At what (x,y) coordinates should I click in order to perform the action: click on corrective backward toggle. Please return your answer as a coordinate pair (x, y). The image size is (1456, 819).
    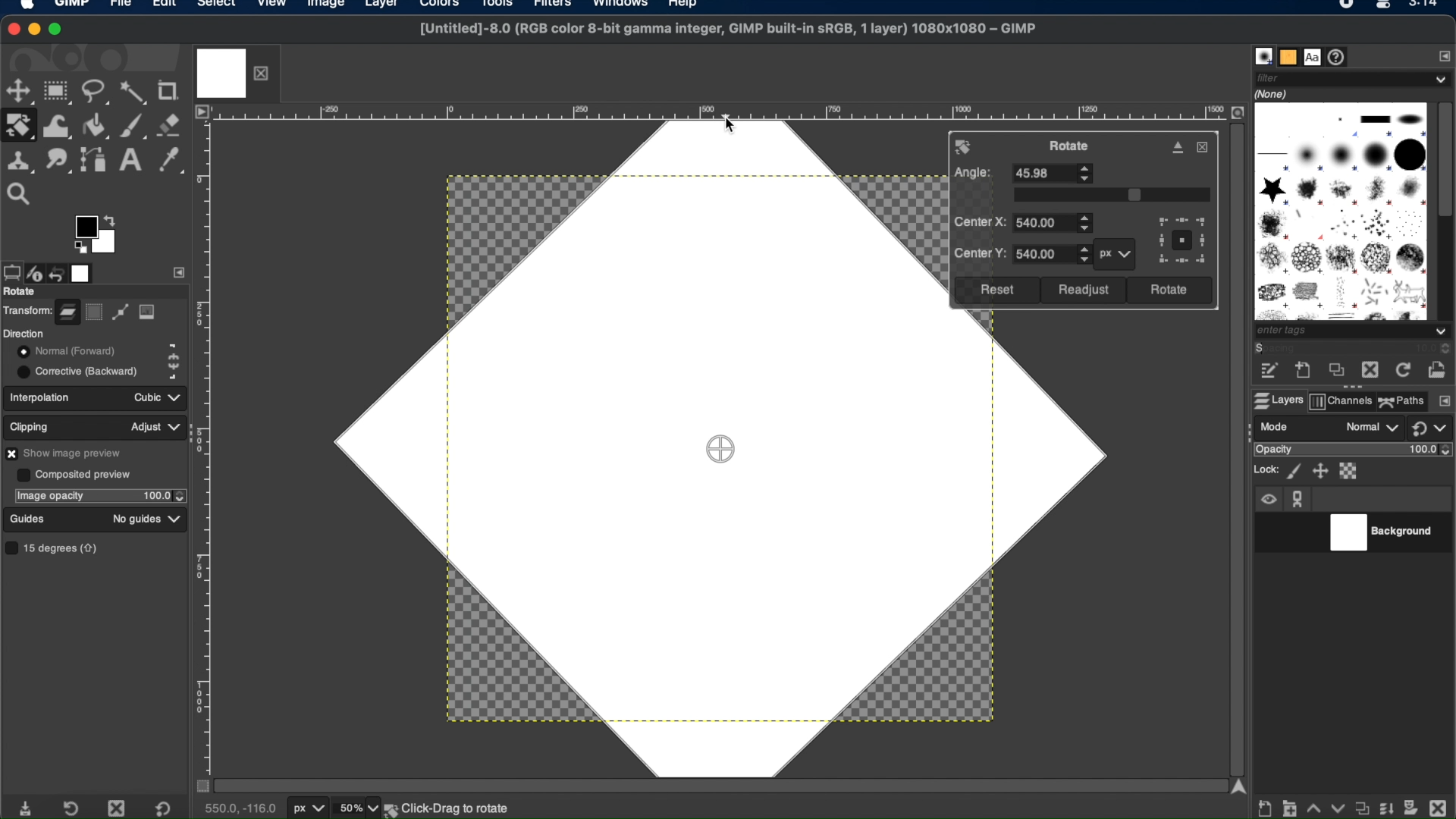
    Looking at the image, I should click on (79, 371).